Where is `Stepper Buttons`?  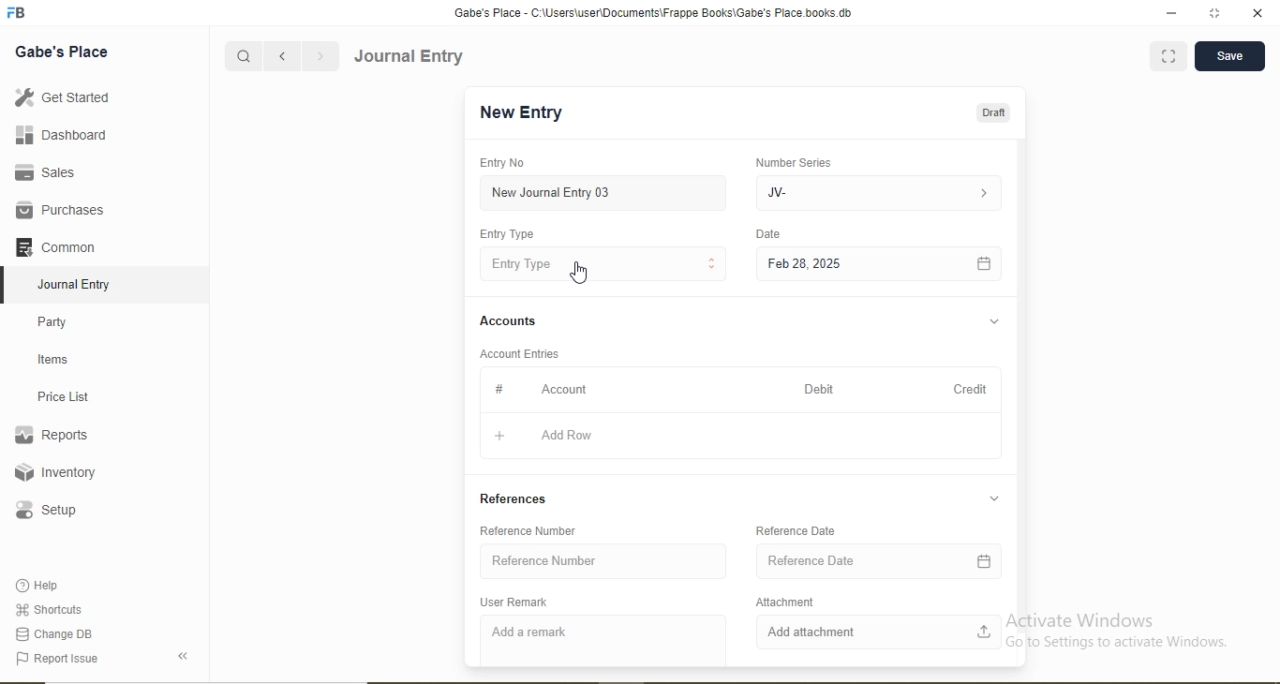 Stepper Buttons is located at coordinates (712, 264).